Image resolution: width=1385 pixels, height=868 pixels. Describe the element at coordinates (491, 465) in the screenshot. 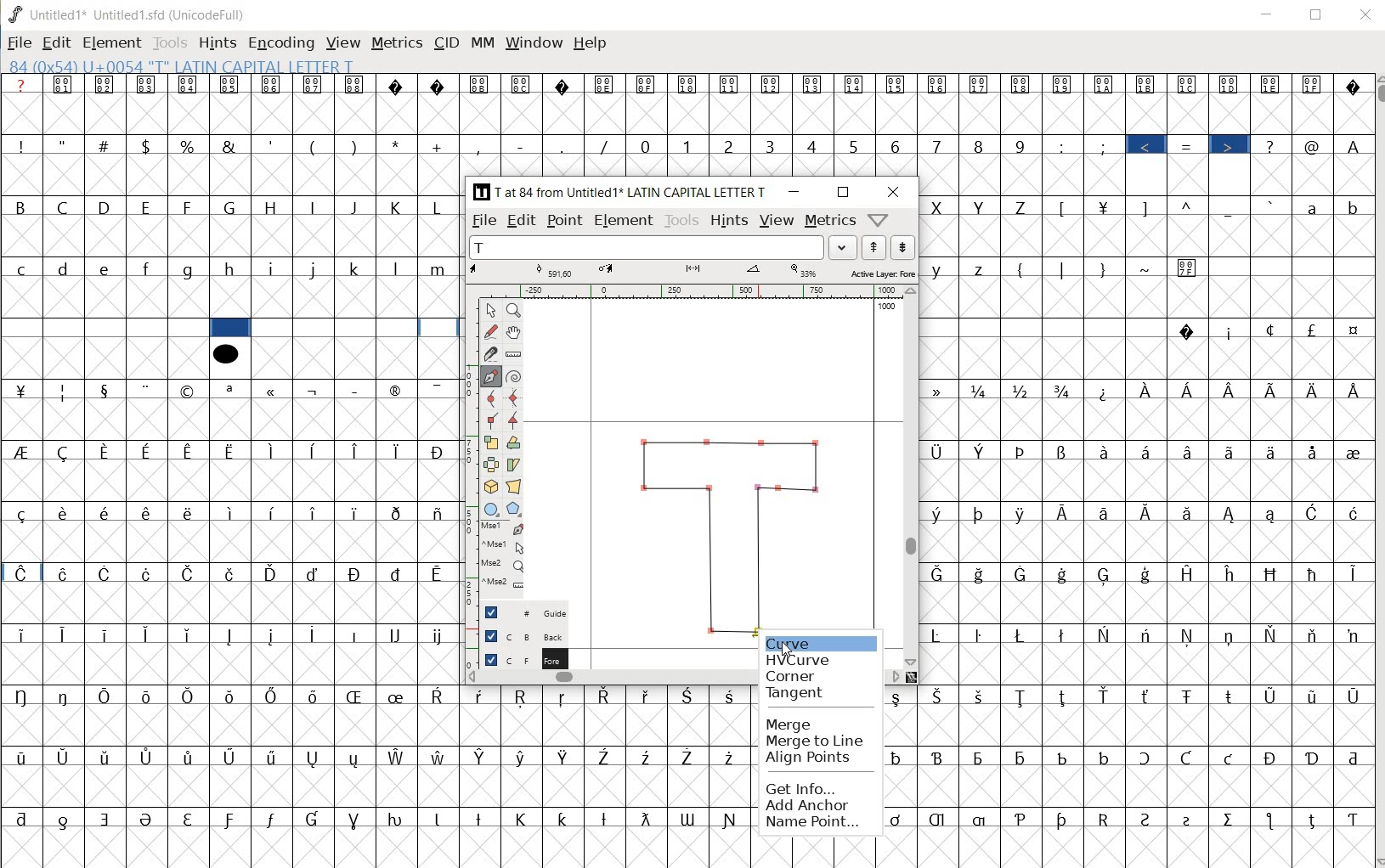

I see `flip` at that location.